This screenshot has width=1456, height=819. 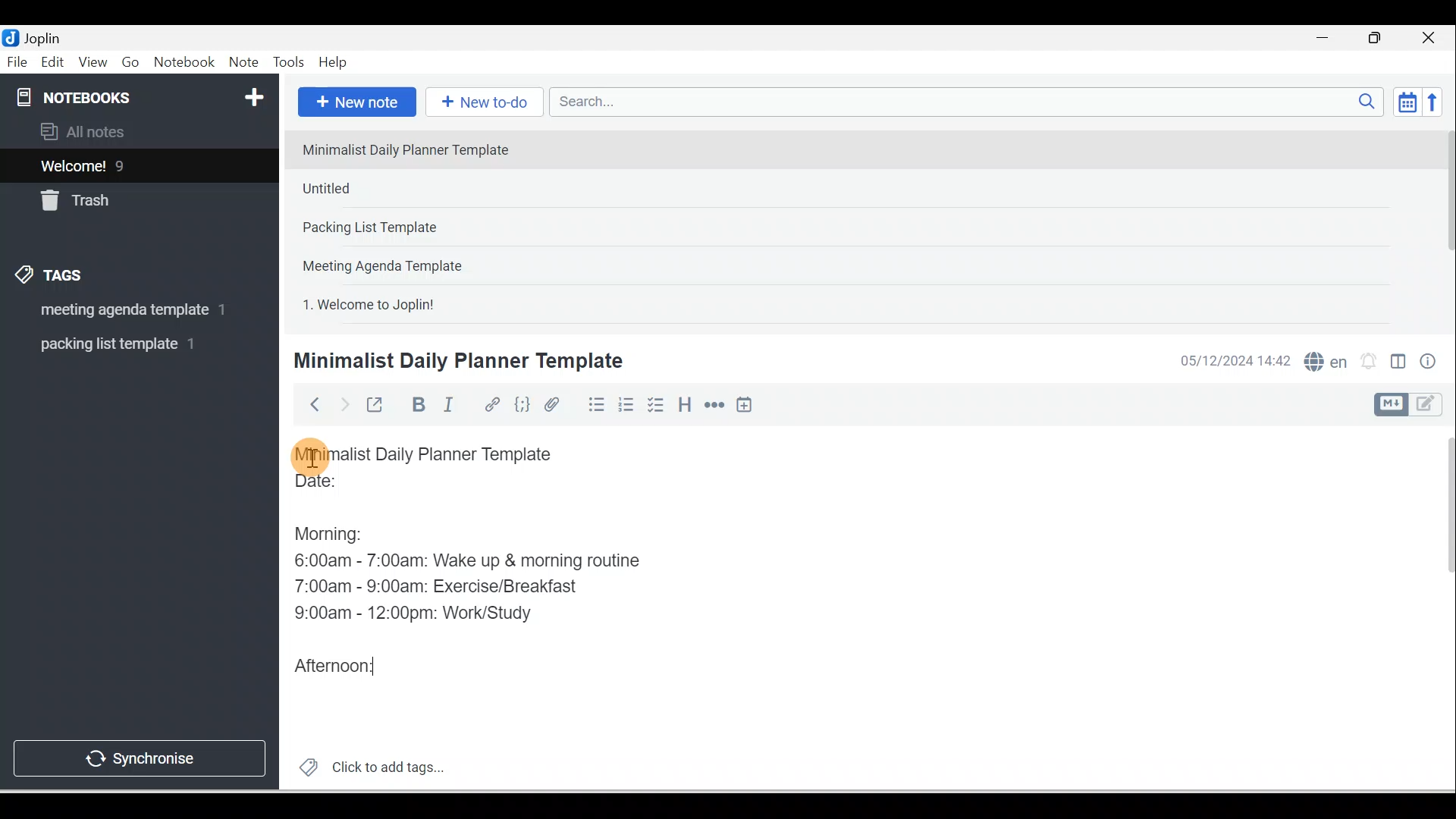 What do you see at coordinates (137, 131) in the screenshot?
I see `All notes` at bounding box center [137, 131].